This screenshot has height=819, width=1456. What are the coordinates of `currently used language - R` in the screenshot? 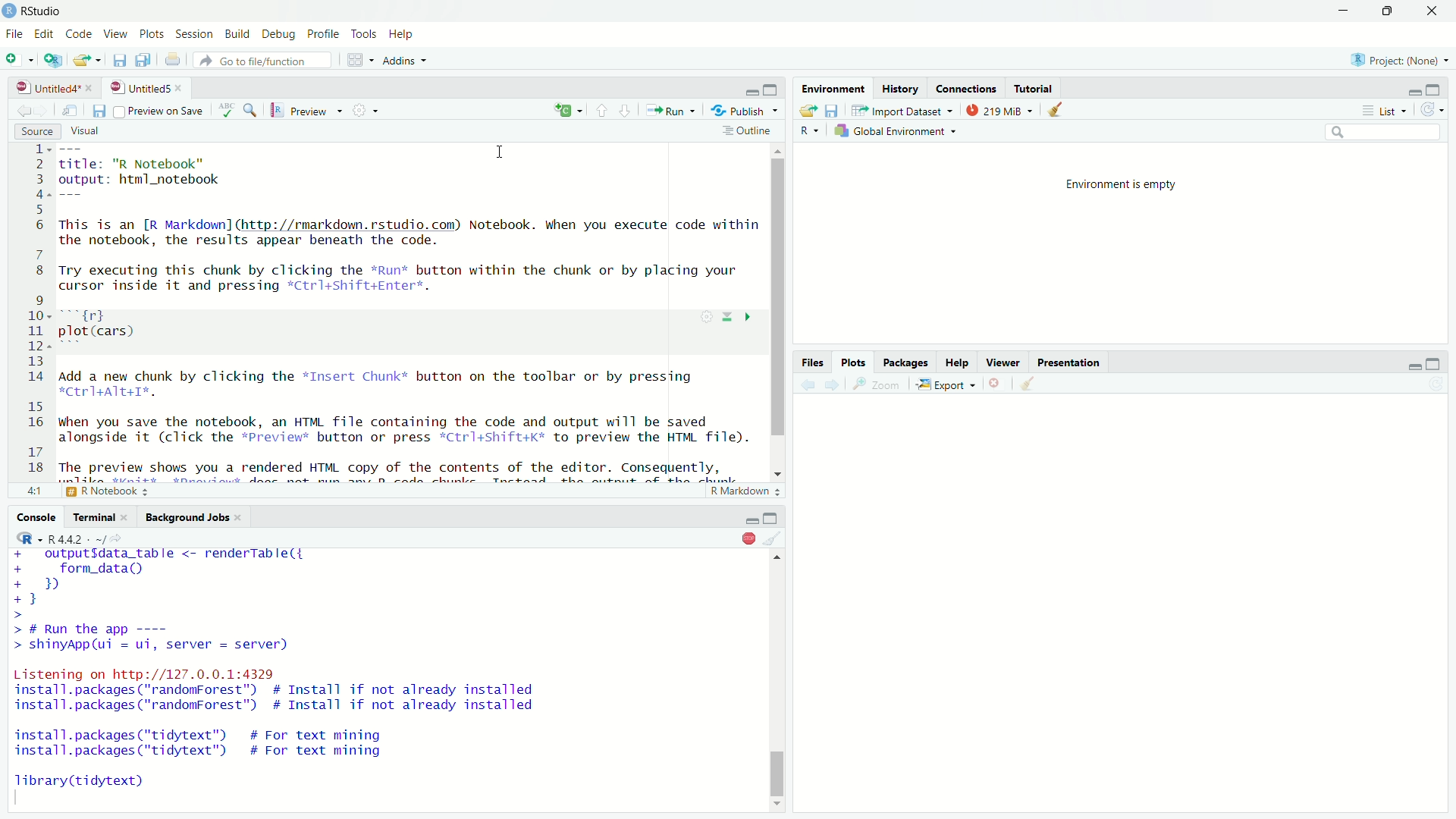 It's located at (813, 132).